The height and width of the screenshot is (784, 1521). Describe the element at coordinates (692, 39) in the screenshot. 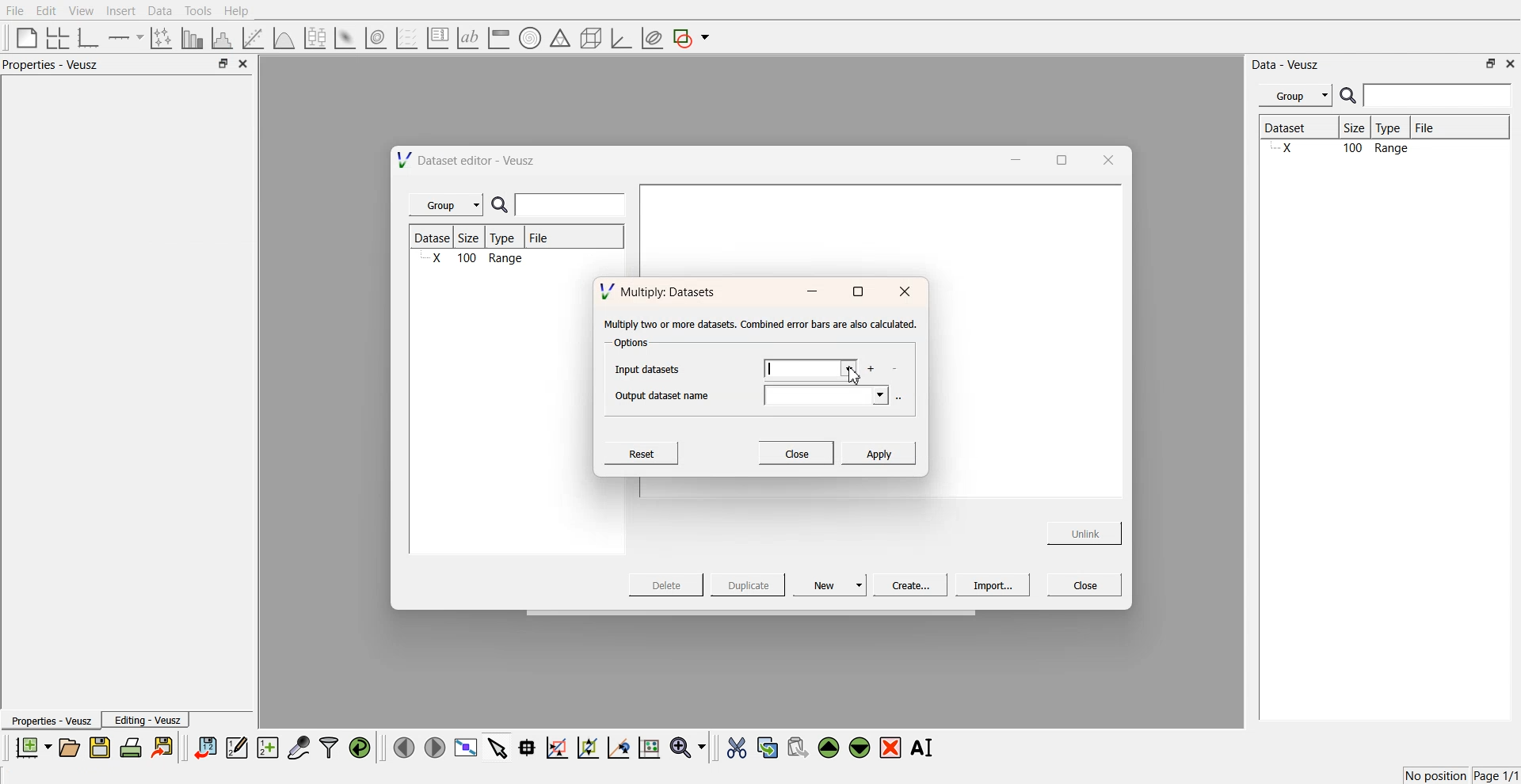

I see `add a shape` at that location.